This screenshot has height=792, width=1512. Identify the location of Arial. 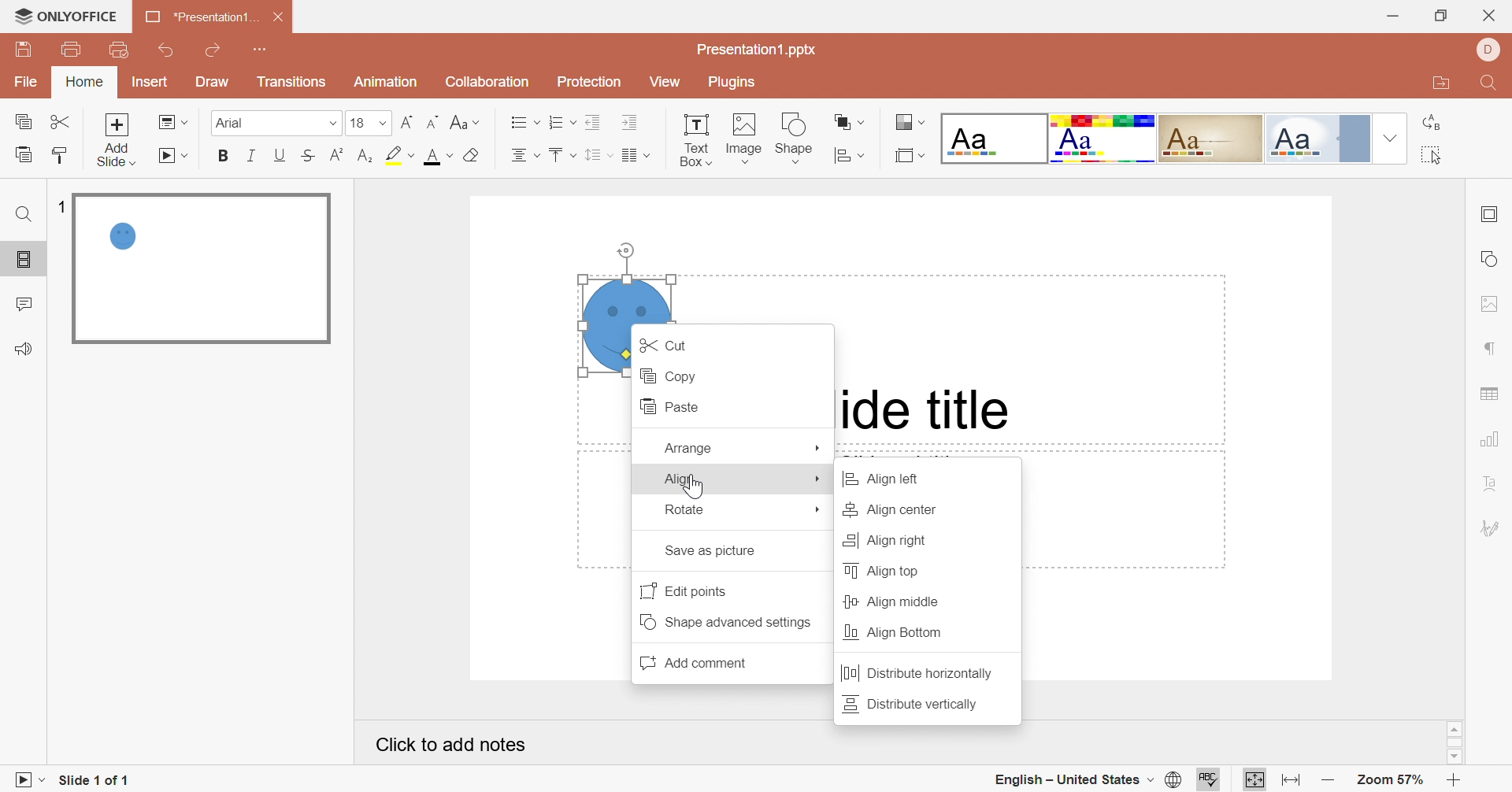
(256, 126).